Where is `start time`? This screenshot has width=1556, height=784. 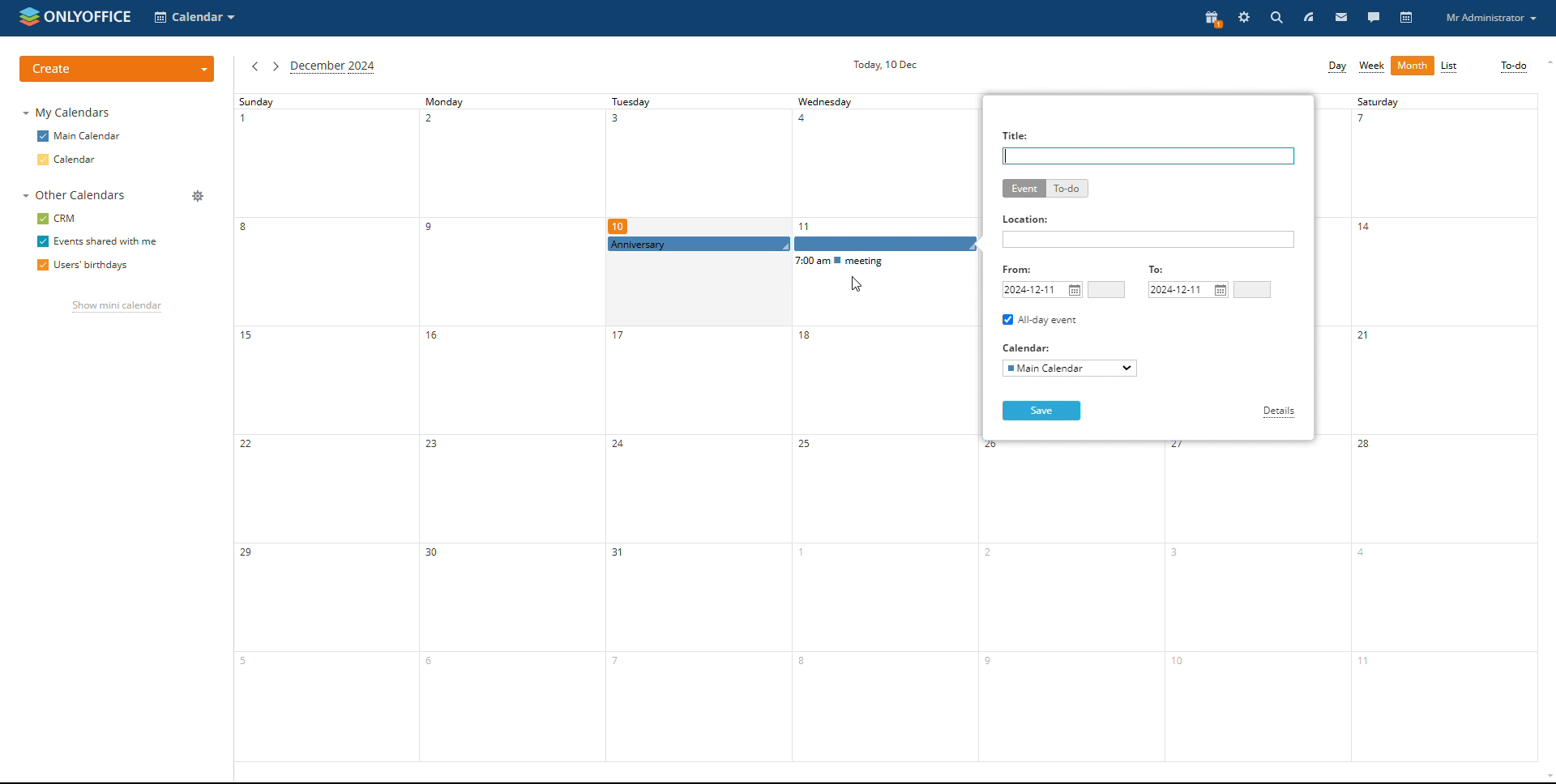
start time is located at coordinates (1107, 290).